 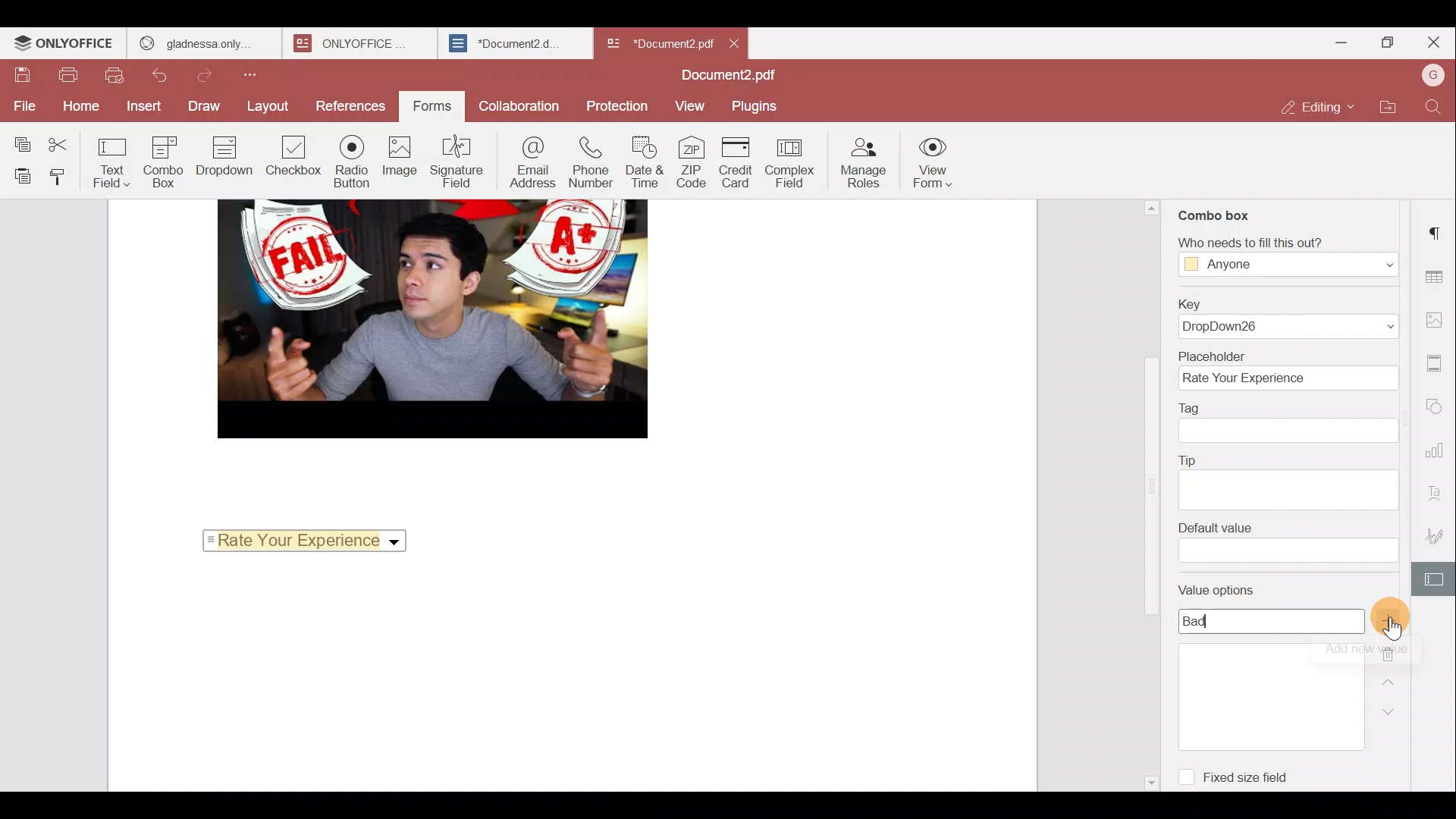 What do you see at coordinates (206, 107) in the screenshot?
I see `Draw` at bounding box center [206, 107].